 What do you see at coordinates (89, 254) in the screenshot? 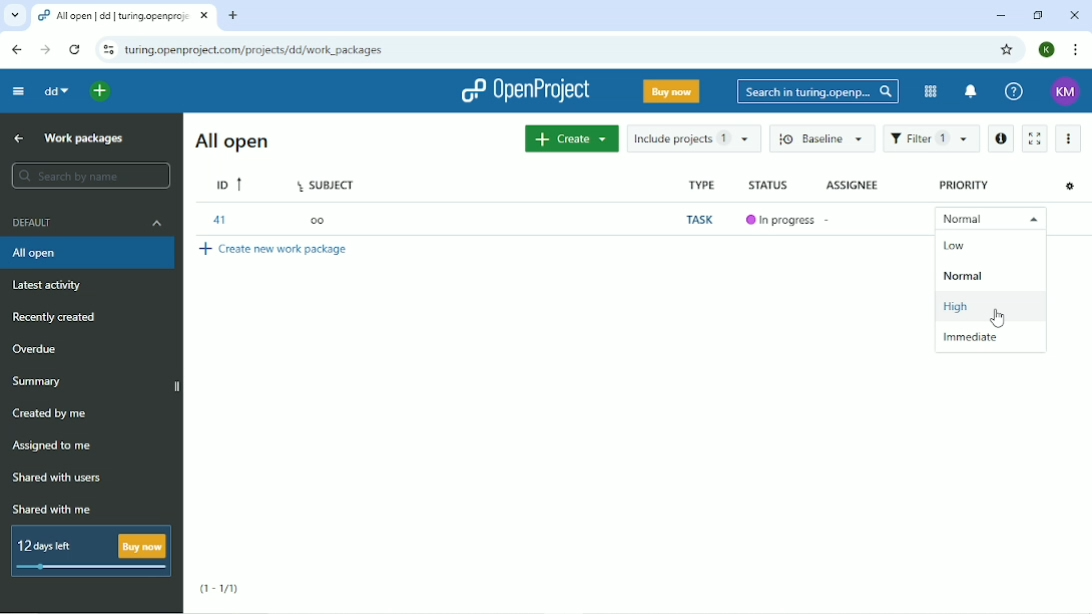
I see `All open` at bounding box center [89, 254].